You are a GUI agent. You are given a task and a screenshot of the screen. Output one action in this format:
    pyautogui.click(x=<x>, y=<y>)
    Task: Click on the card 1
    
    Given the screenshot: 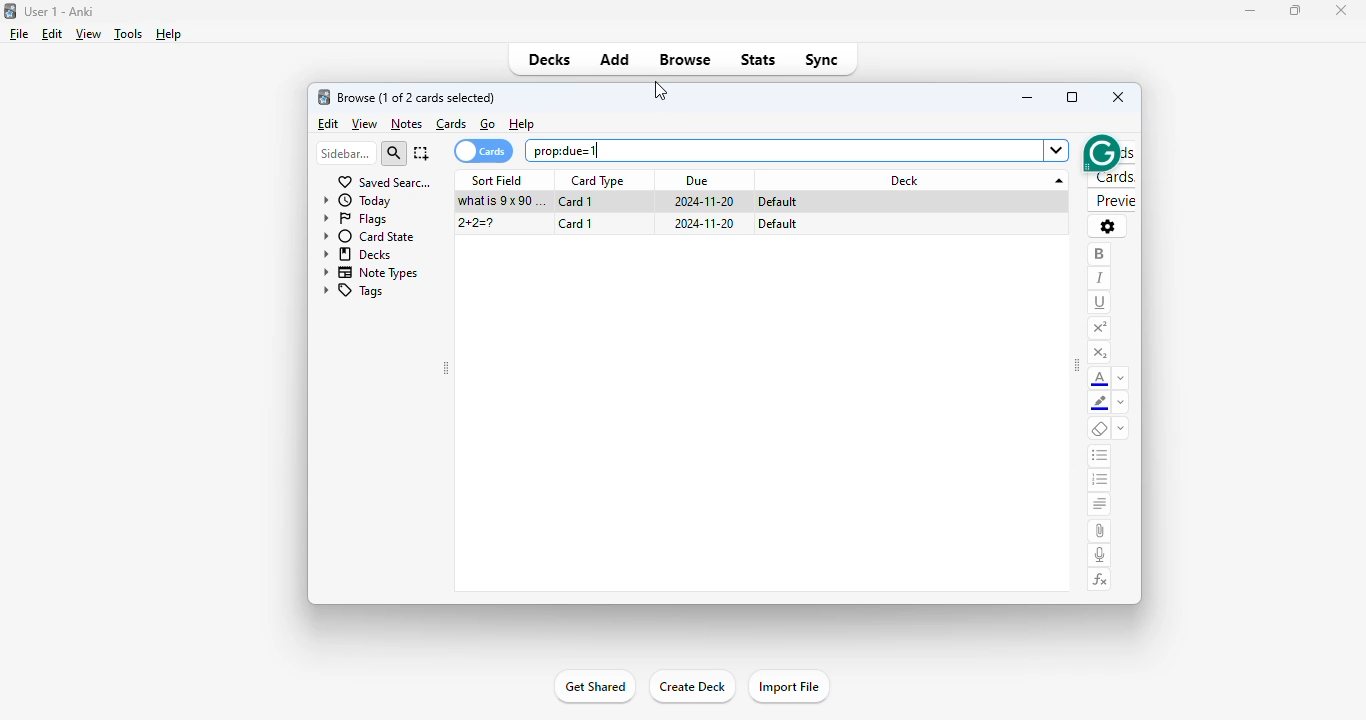 What is the action you would take?
    pyautogui.click(x=575, y=201)
    